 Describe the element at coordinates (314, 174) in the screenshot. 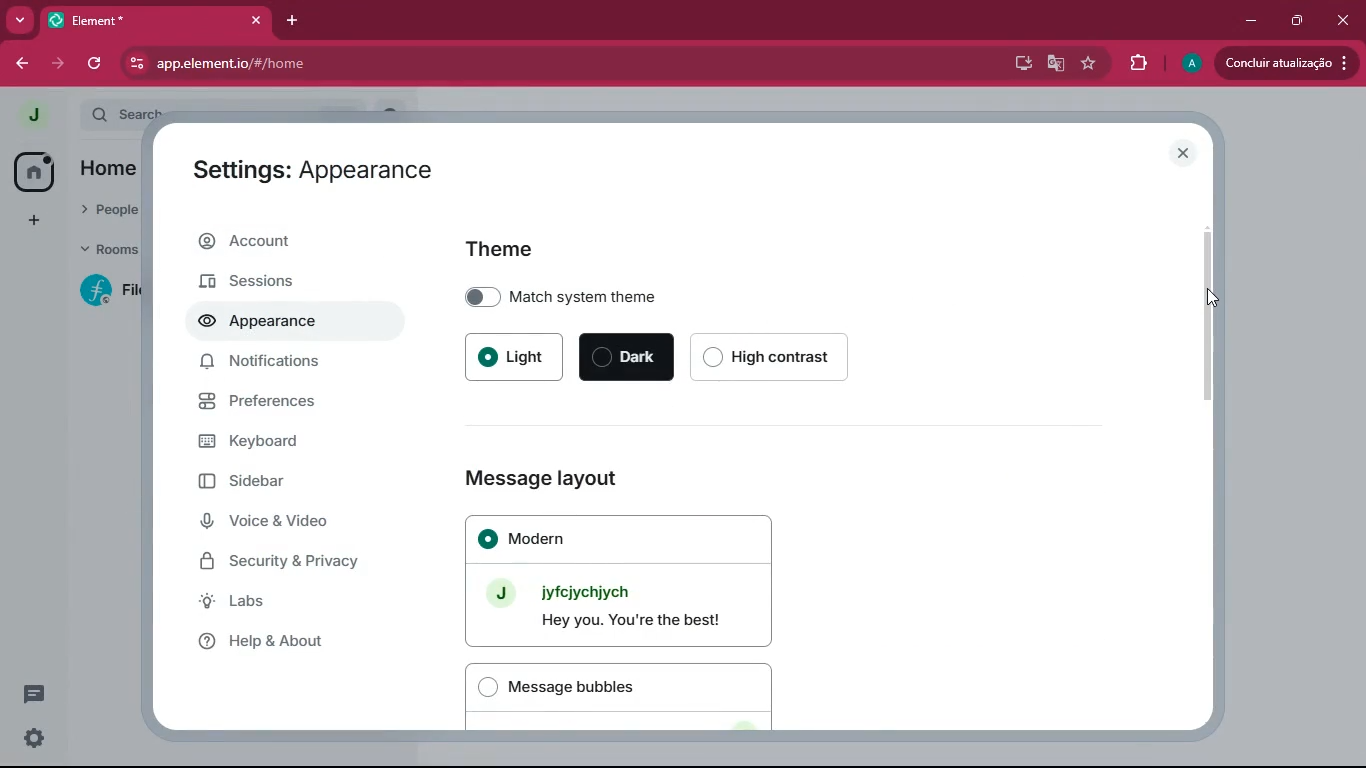

I see `Settings: Appearance` at that location.